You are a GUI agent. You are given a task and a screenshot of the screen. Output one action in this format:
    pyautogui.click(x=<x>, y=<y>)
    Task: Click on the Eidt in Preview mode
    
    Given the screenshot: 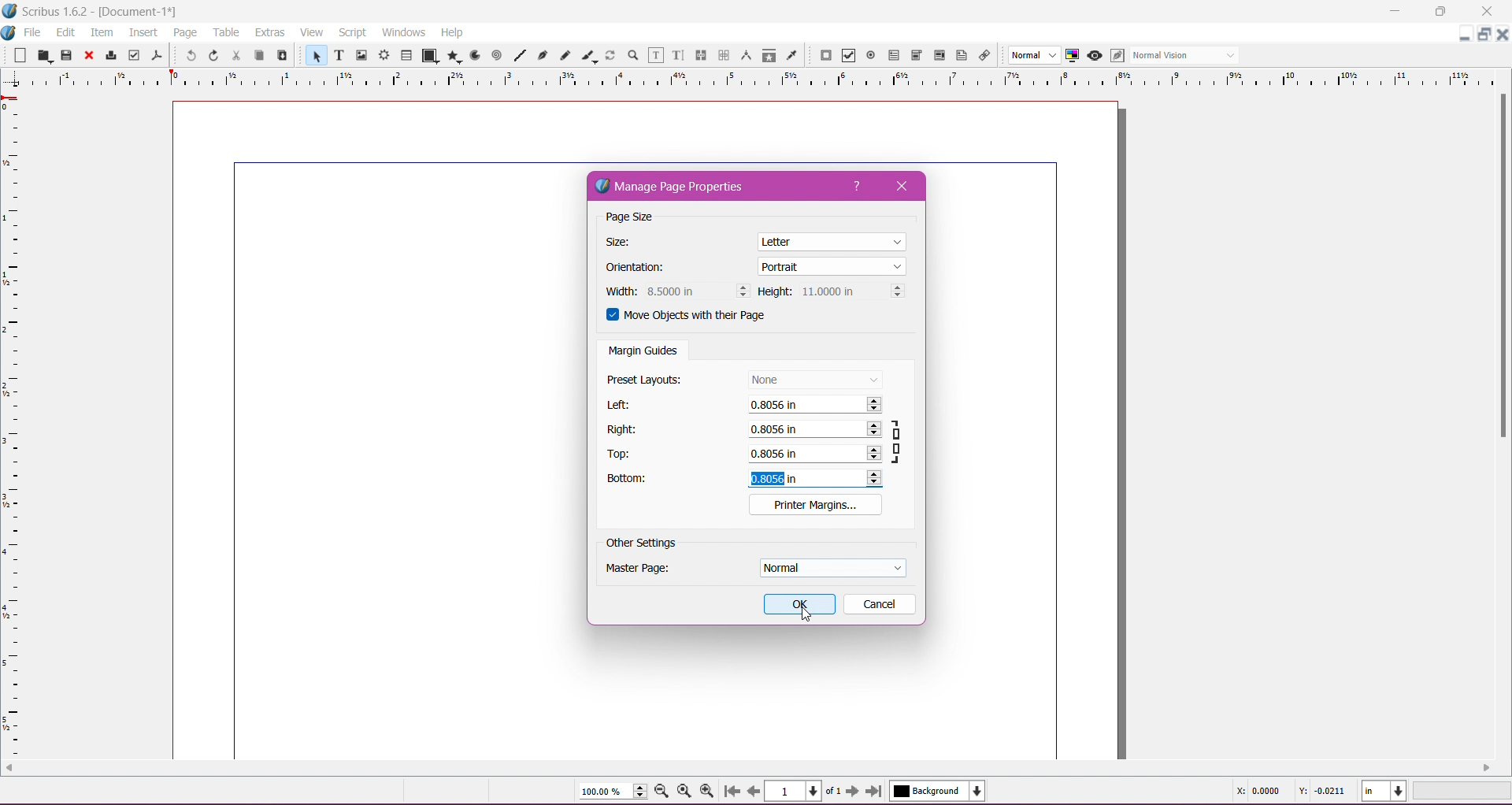 What is the action you would take?
    pyautogui.click(x=1117, y=56)
    